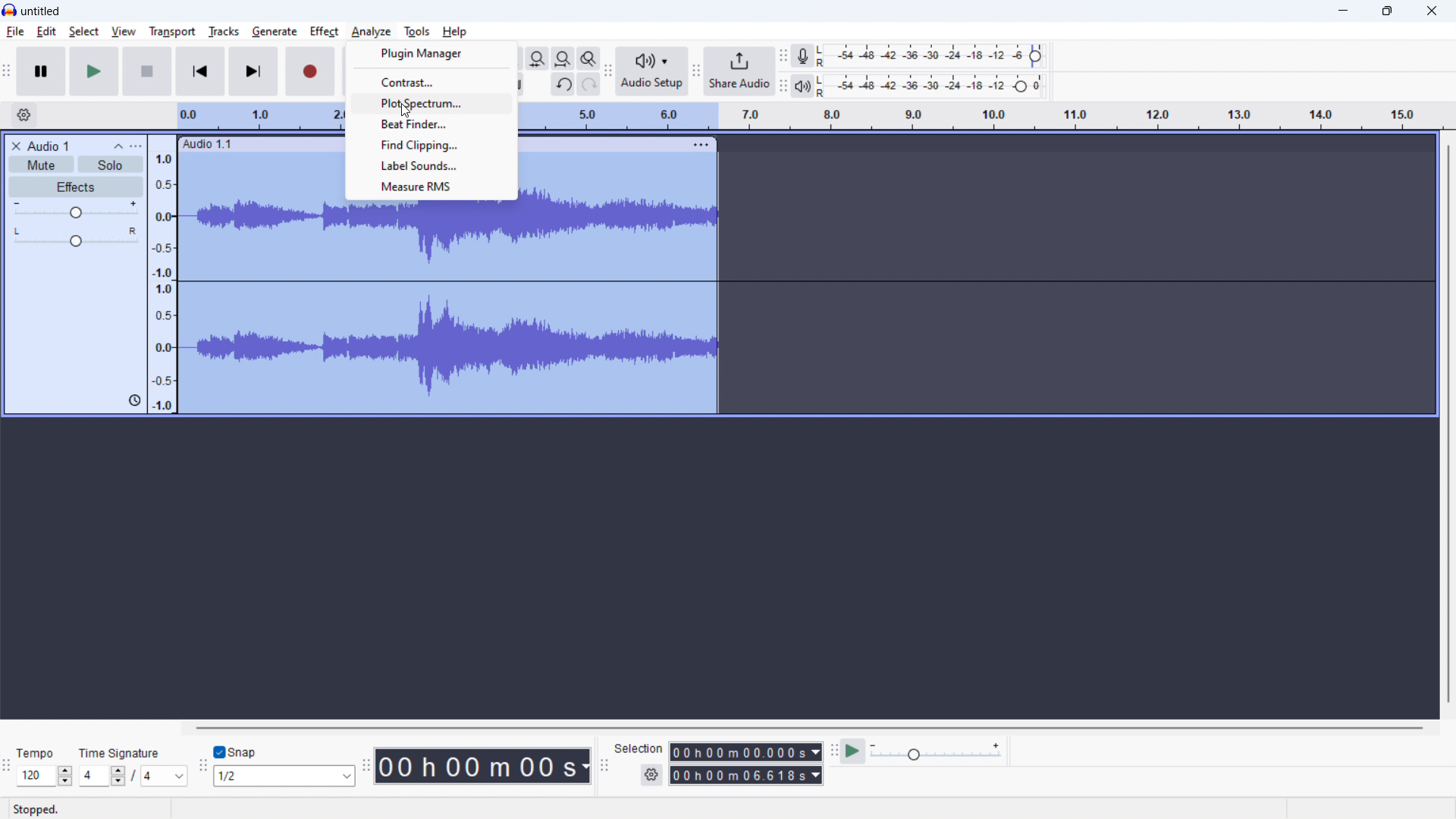 The height and width of the screenshot is (819, 1456). I want to click on vertical scrollbar, so click(1446, 422).